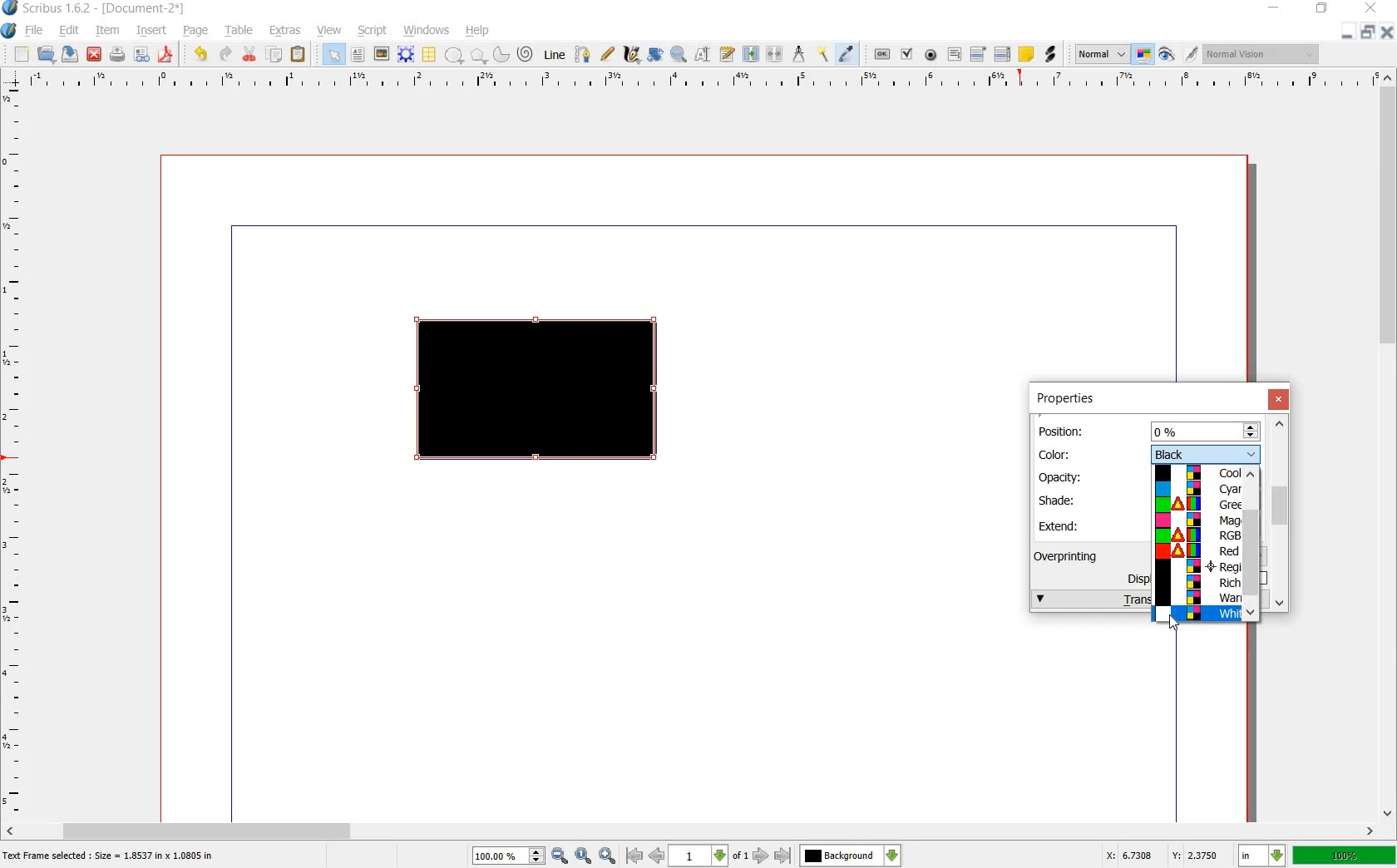  I want to click on page, so click(196, 32).